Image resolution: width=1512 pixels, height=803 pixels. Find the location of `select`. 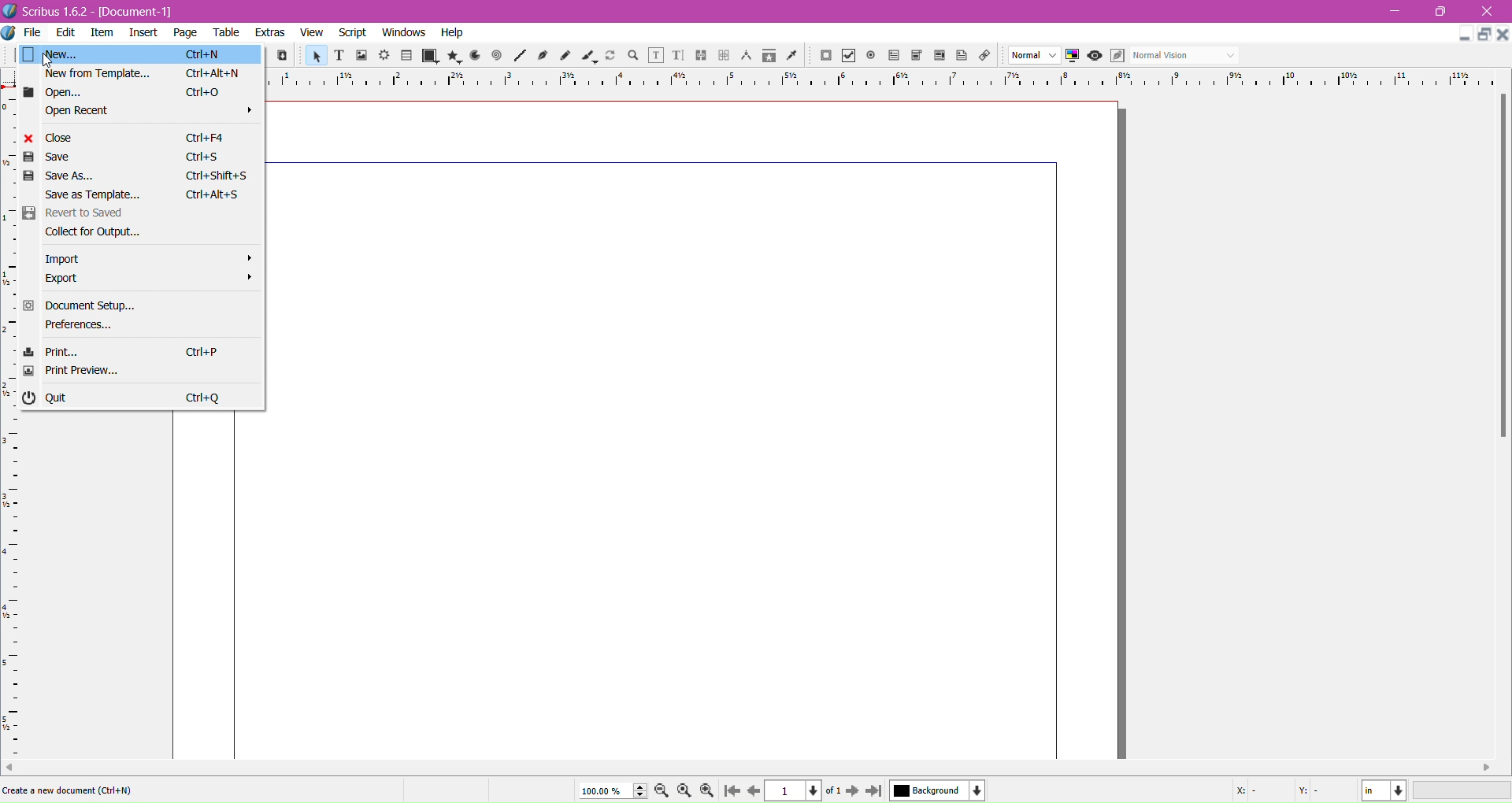

select is located at coordinates (313, 55).